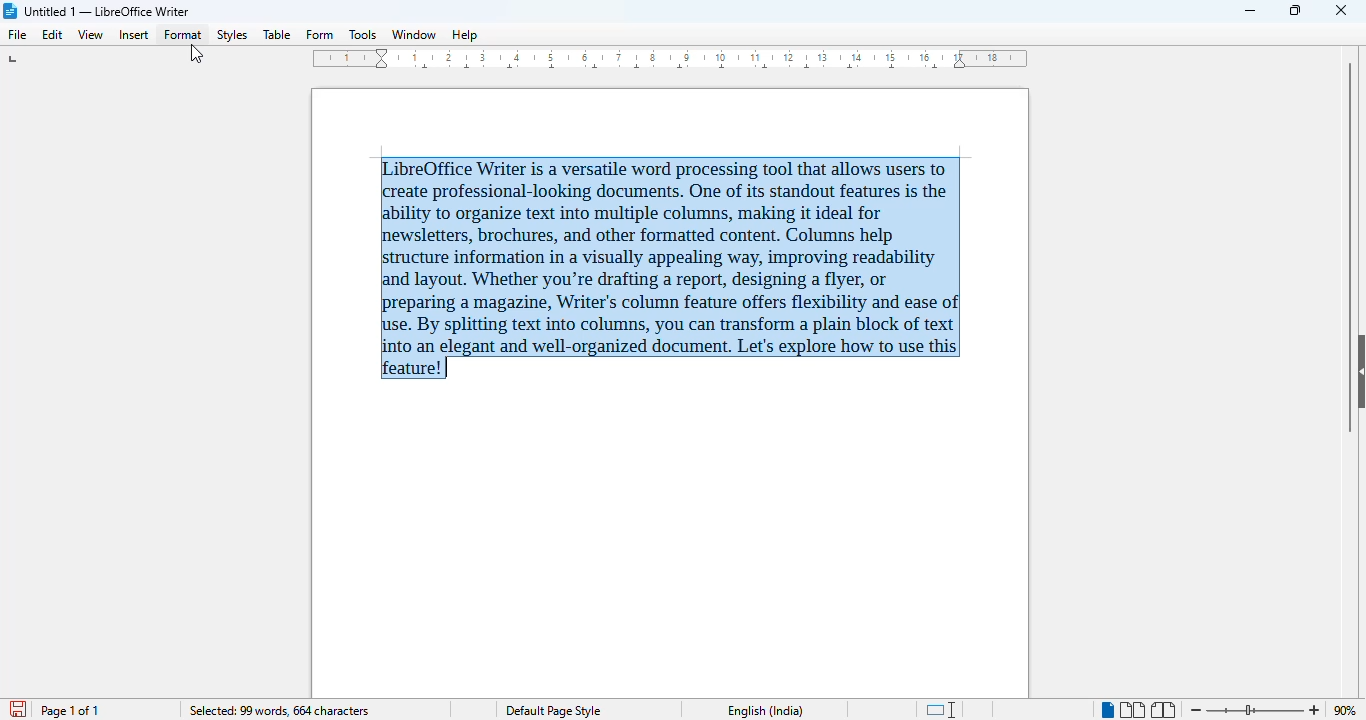 This screenshot has height=720, width=1366. What do you see at coordinates (90, 35) in the screenshot?
I see `view` at bounding box center [90, 35].